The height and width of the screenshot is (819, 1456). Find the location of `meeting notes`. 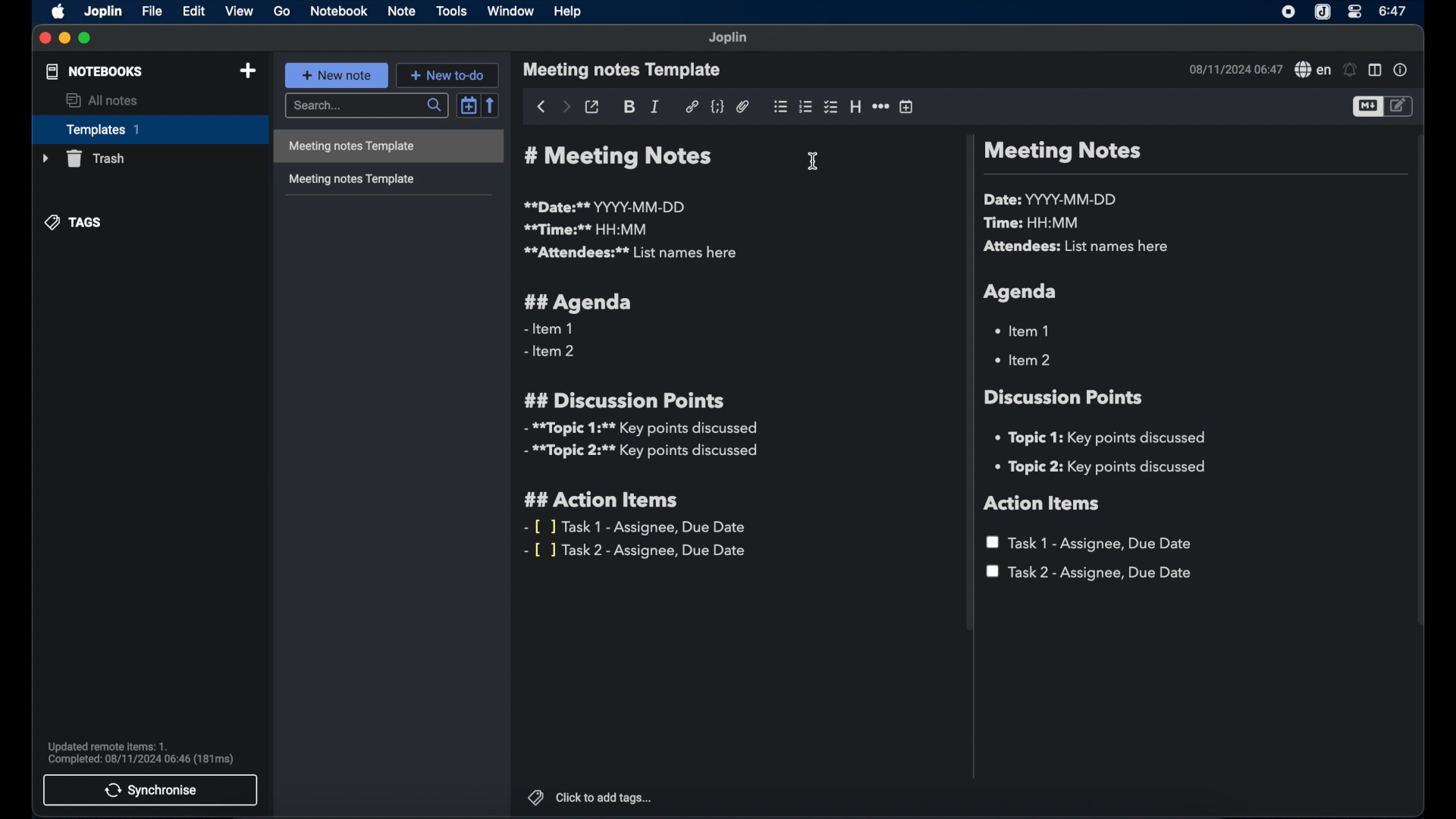

meeting notes is located at coordinates (1062, 152).